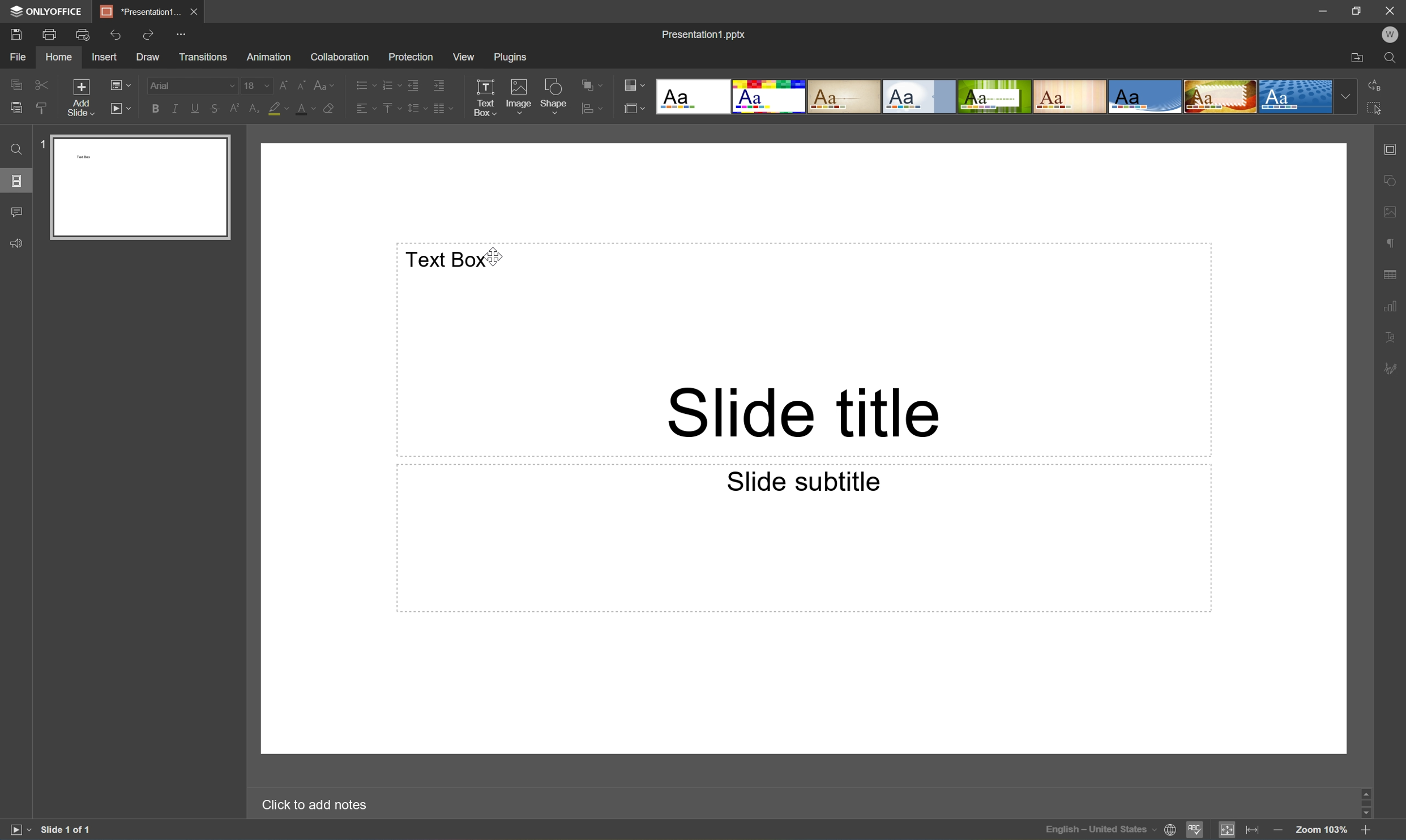 Image resolution: width=1406 pixels, height=840 pixels. What do you see at coordinates (444, 110) in the screenshot?
I see `Insert columns` at bounding box center [444, 110].